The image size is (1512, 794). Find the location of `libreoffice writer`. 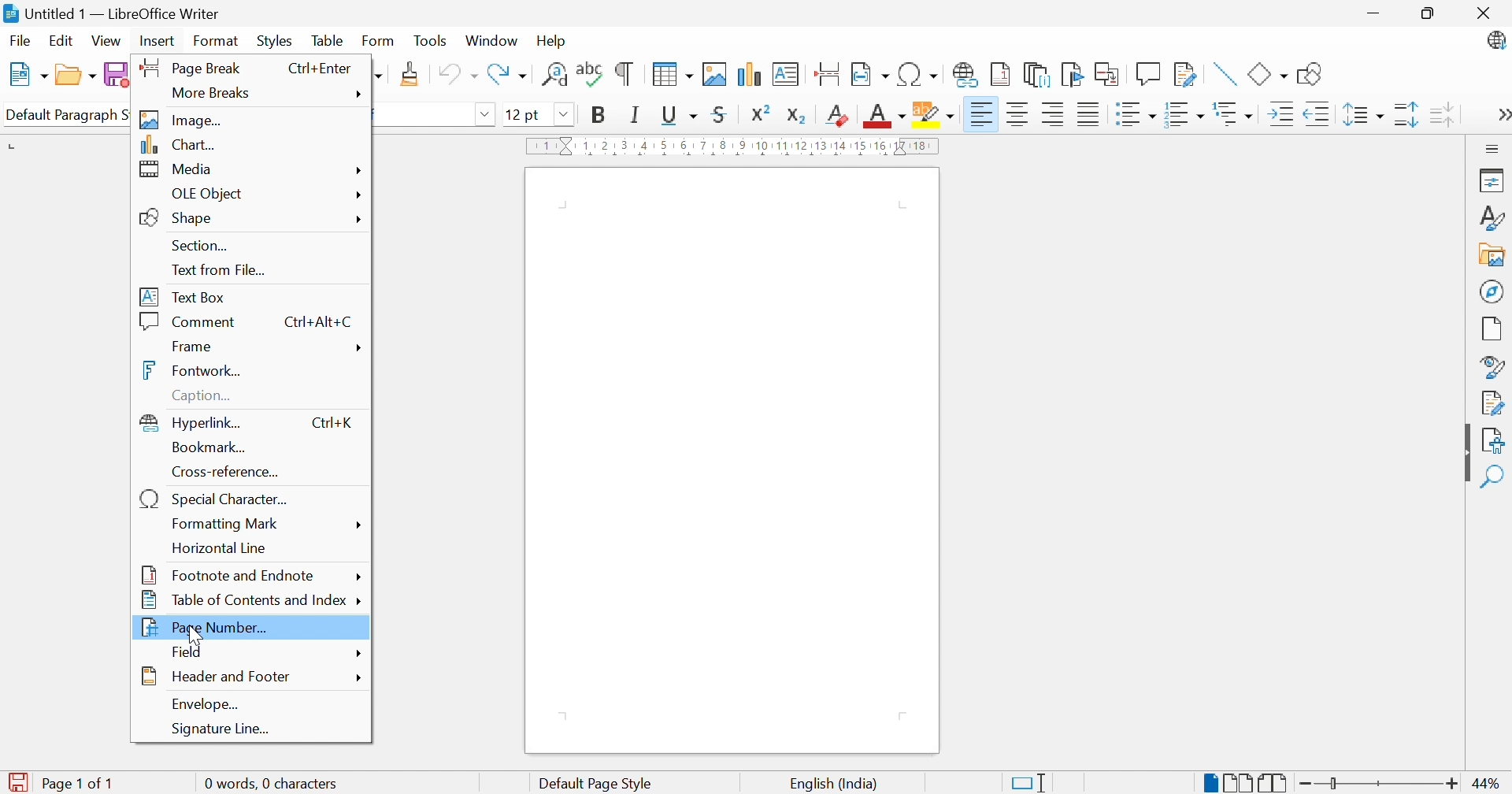

libreoffice writer is located at coordinates (9, 13).